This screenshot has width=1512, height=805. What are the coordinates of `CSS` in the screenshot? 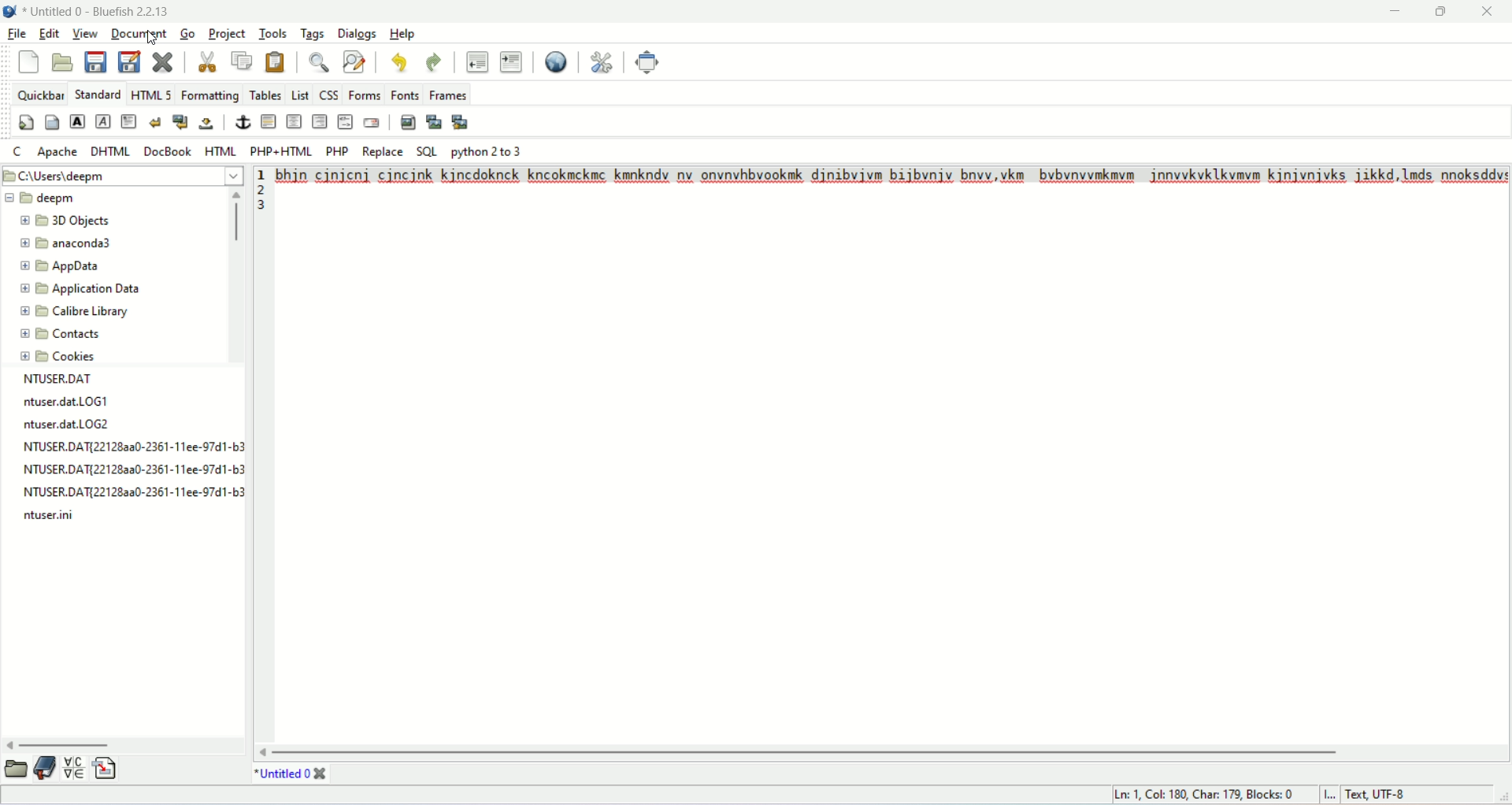 It's located at (329, 92).